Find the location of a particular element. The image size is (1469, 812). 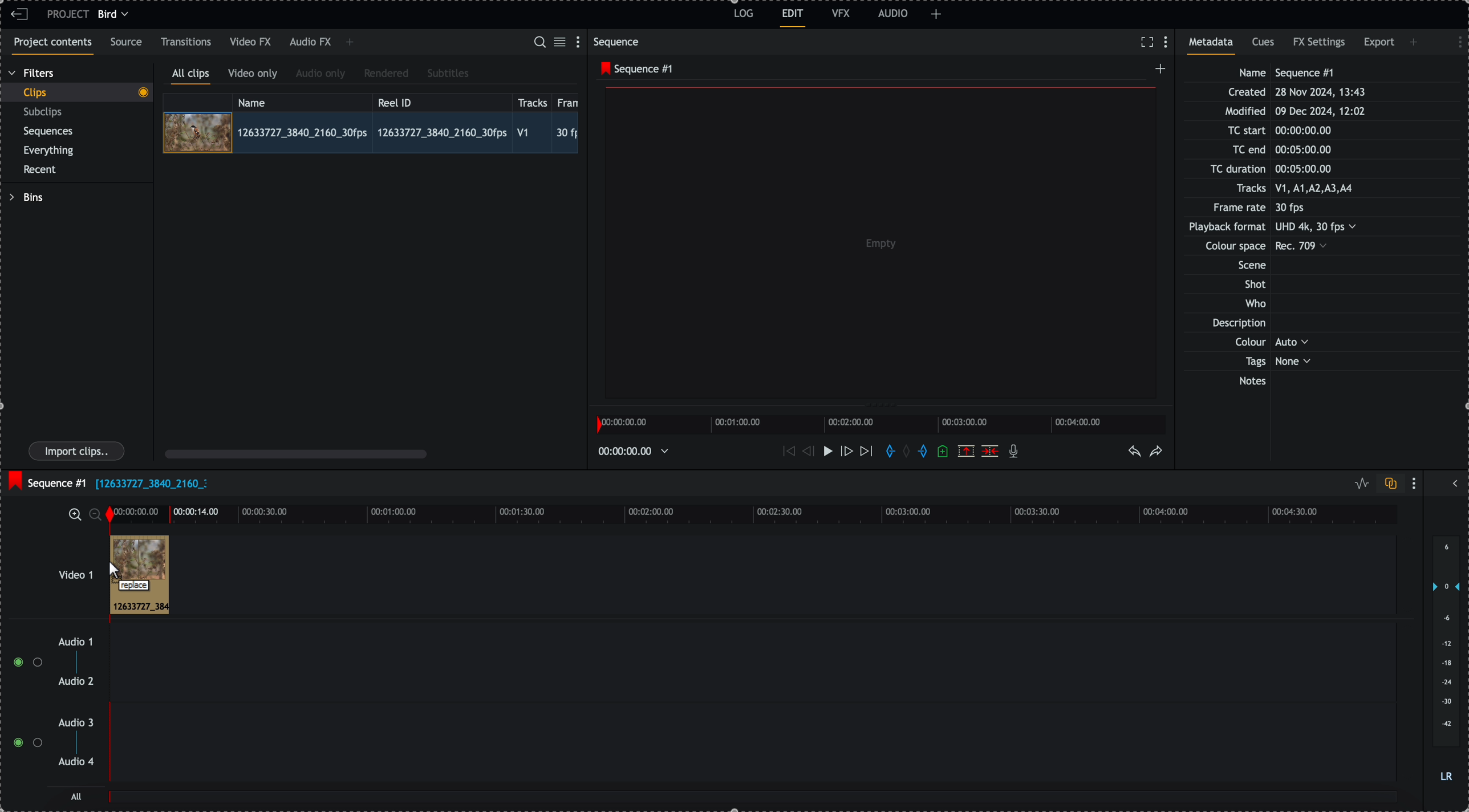

drag video to track 1 is located at coordinates (137, 571).